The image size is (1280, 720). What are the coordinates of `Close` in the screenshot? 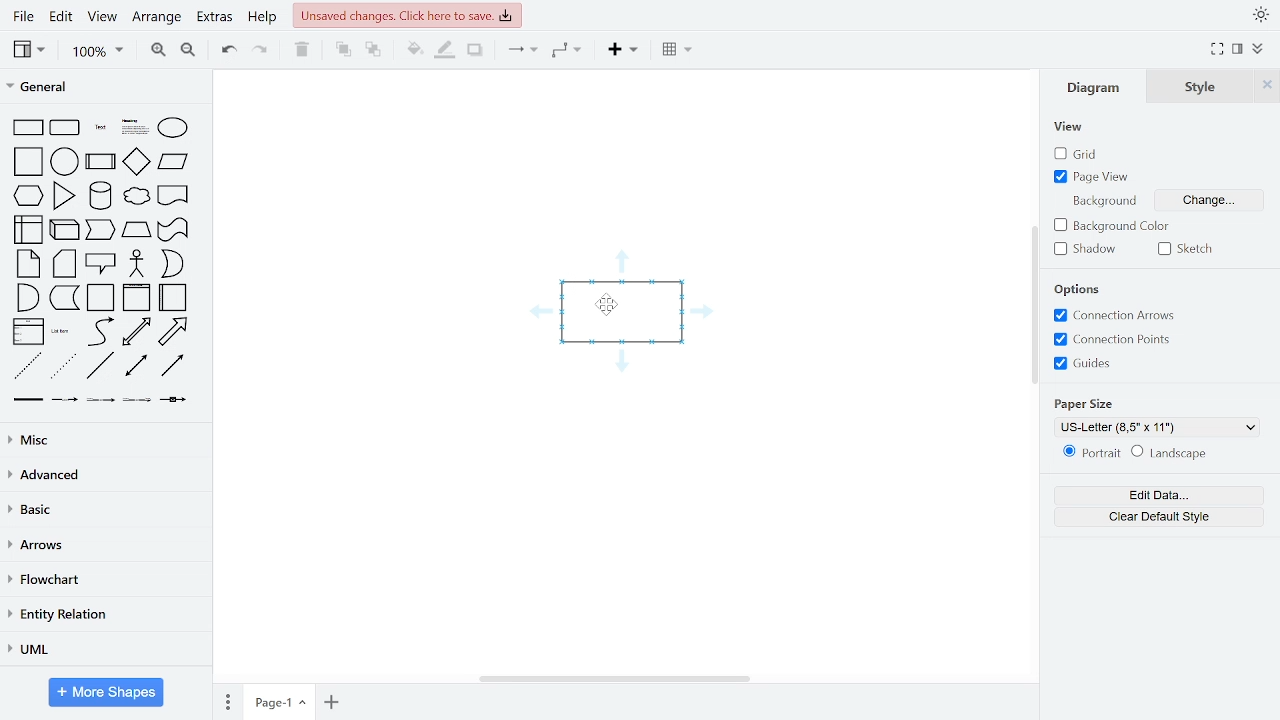 It's located at (1270, 86).